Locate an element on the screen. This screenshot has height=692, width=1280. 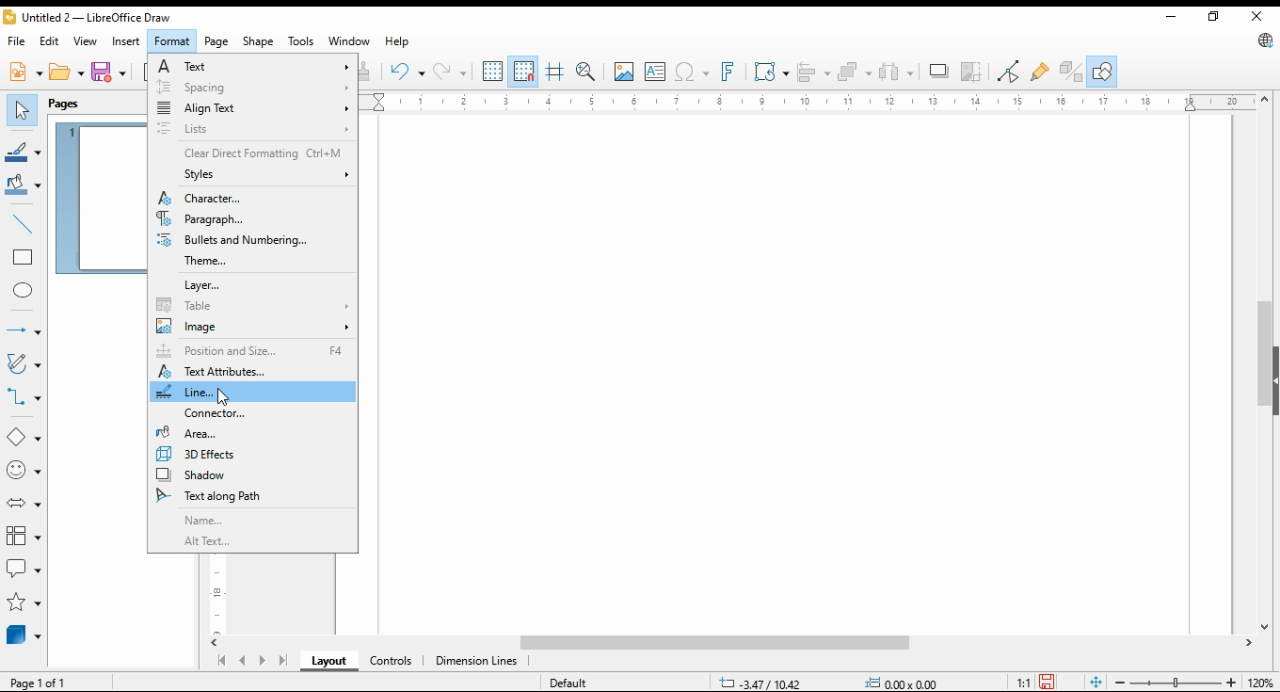
transformations is located at coordinates (770, 71).